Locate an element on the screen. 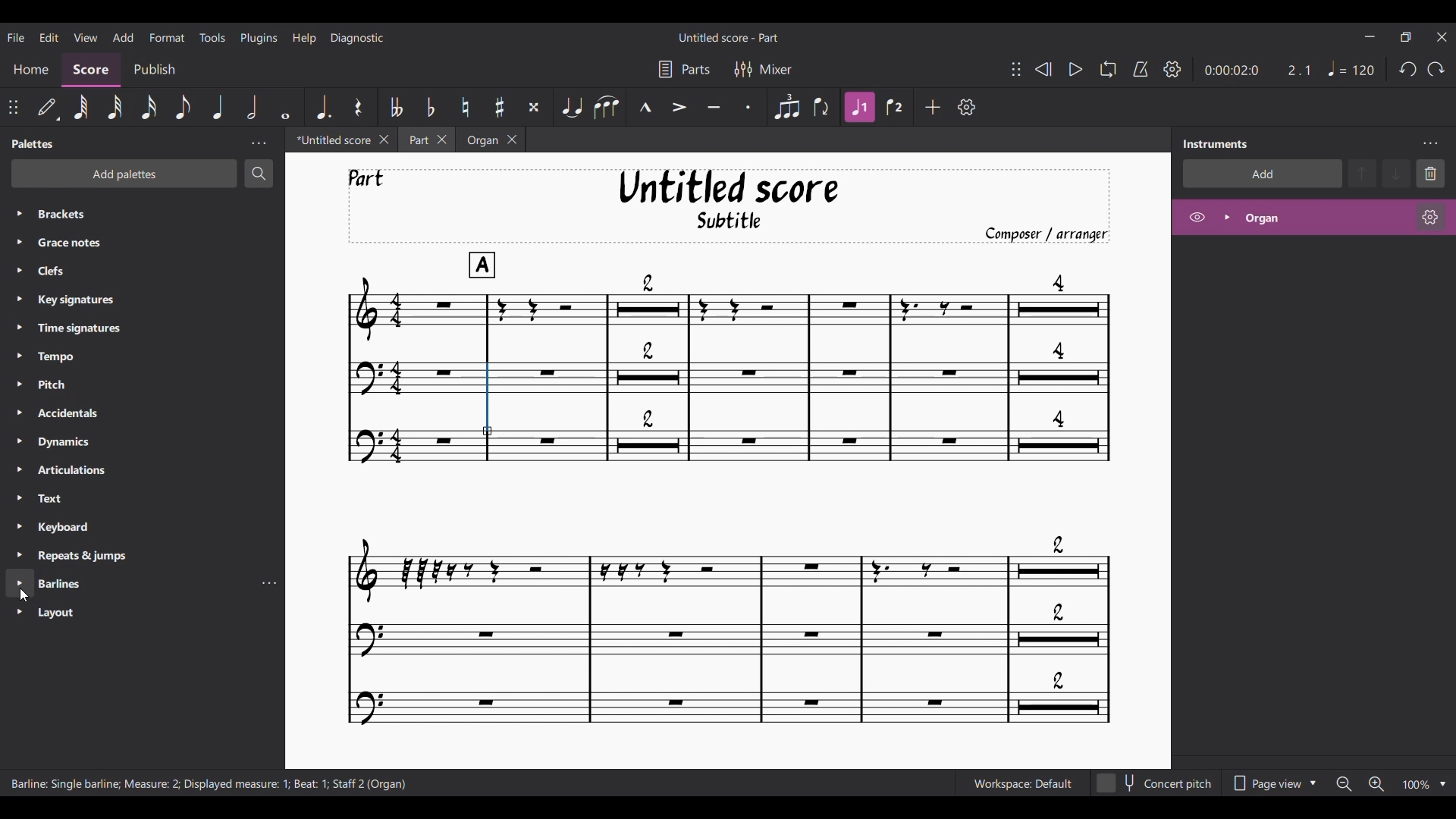  Organ tab is located at coordinates (480, 140).